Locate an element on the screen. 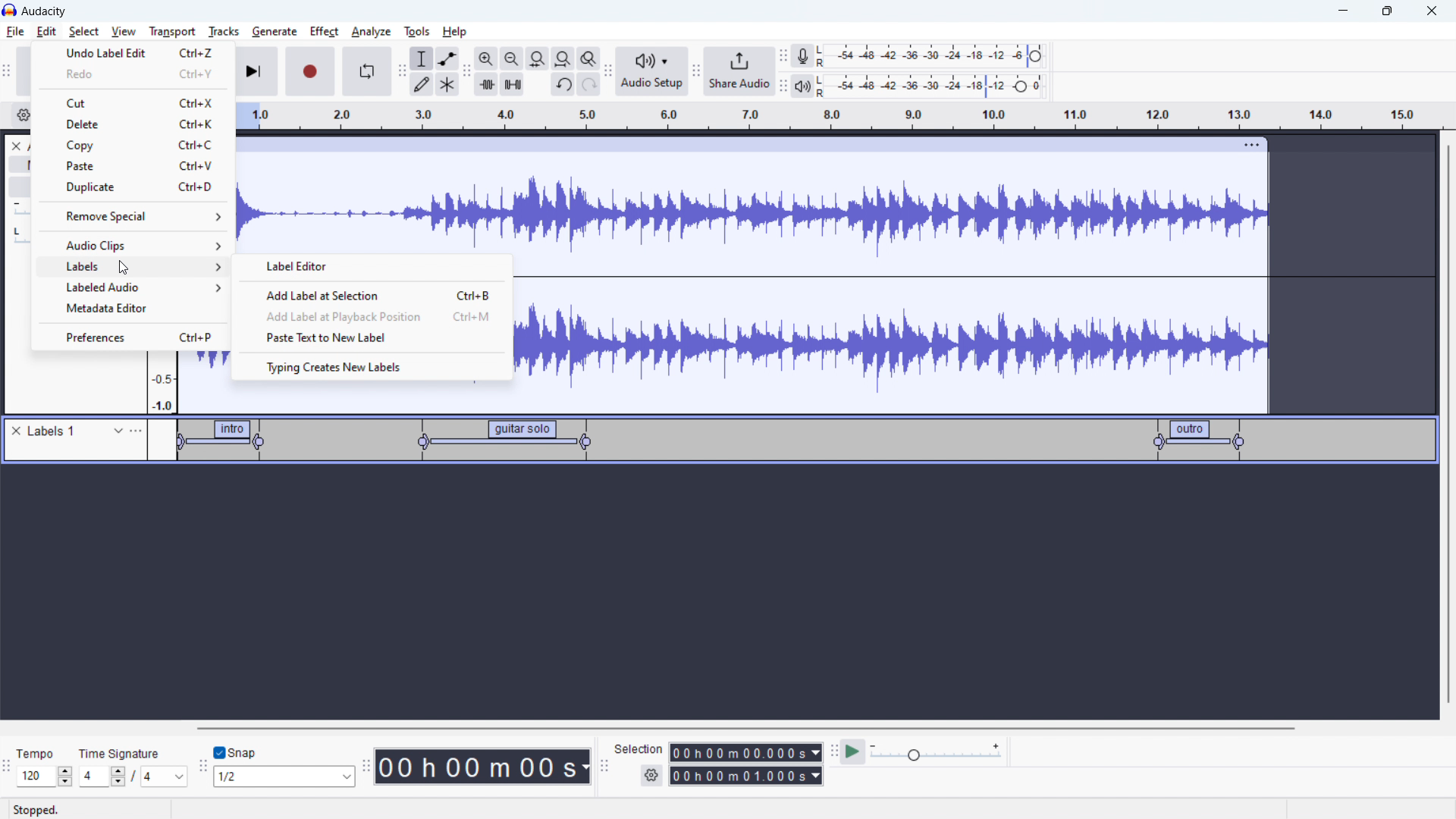 Image resolution: width=1456 pixels, height=819 pixels. tools is located at coordinates (415, 31).